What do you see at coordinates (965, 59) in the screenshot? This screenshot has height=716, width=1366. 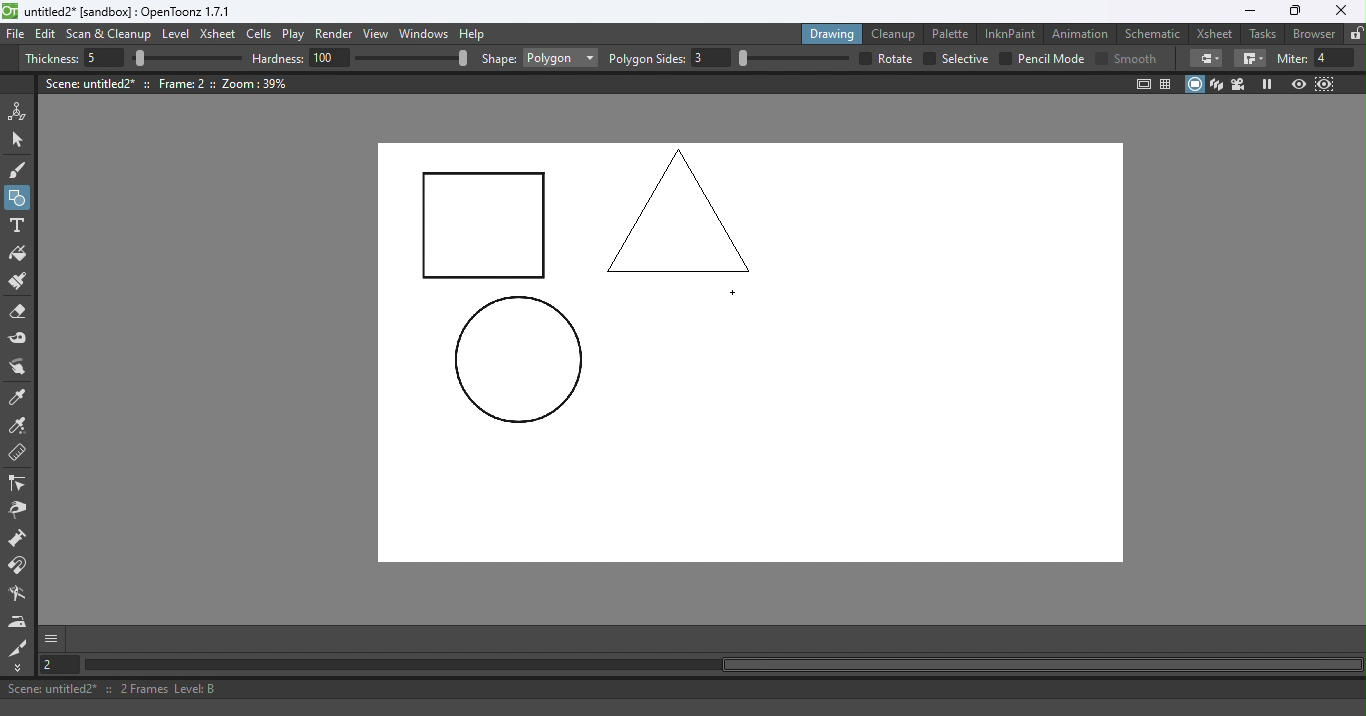 I see `selective` at bounding box center [965, 59].